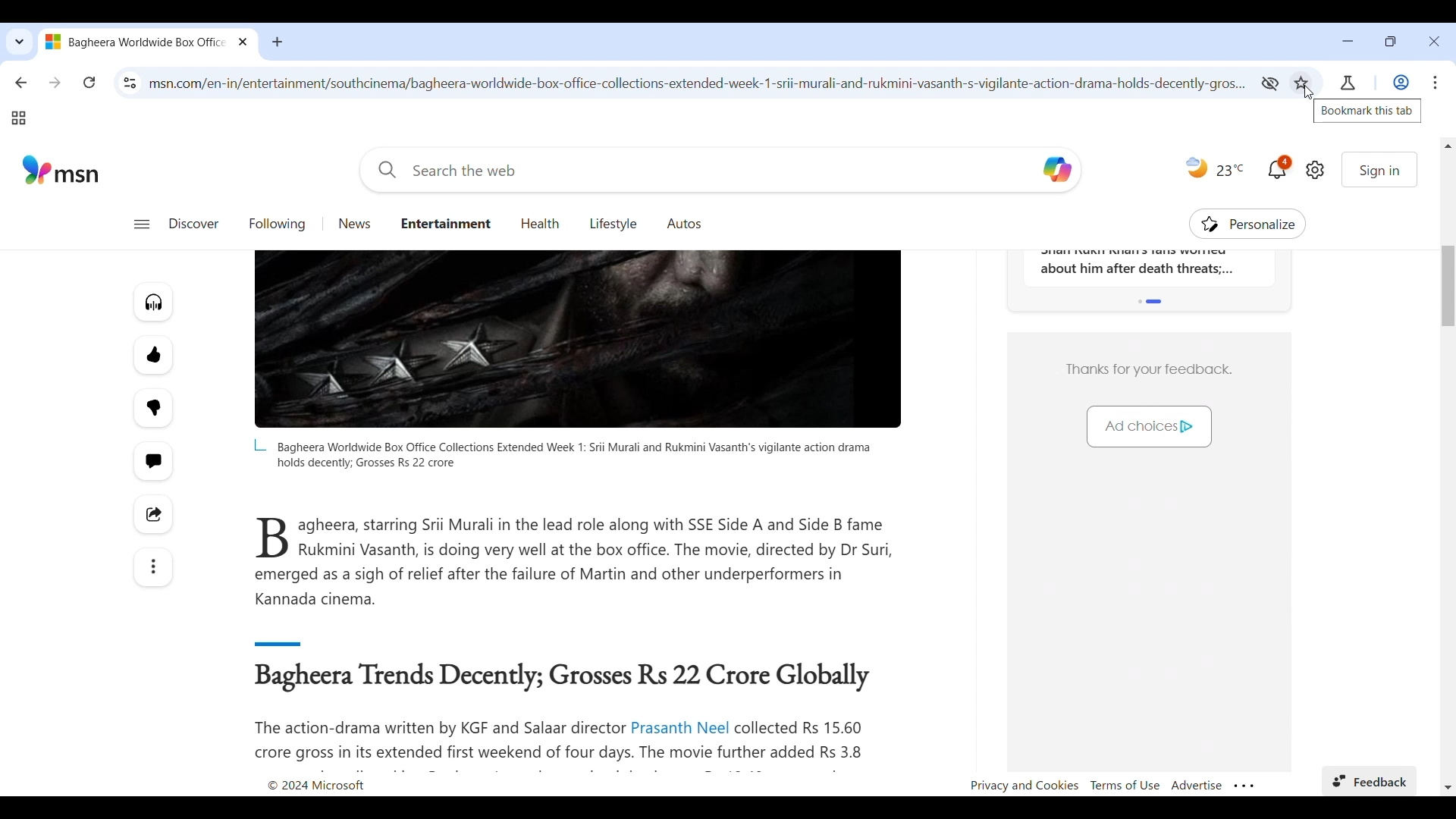 This screenshot has width=1456, height=819. I want to click on Ad space, so click(1148, 404).